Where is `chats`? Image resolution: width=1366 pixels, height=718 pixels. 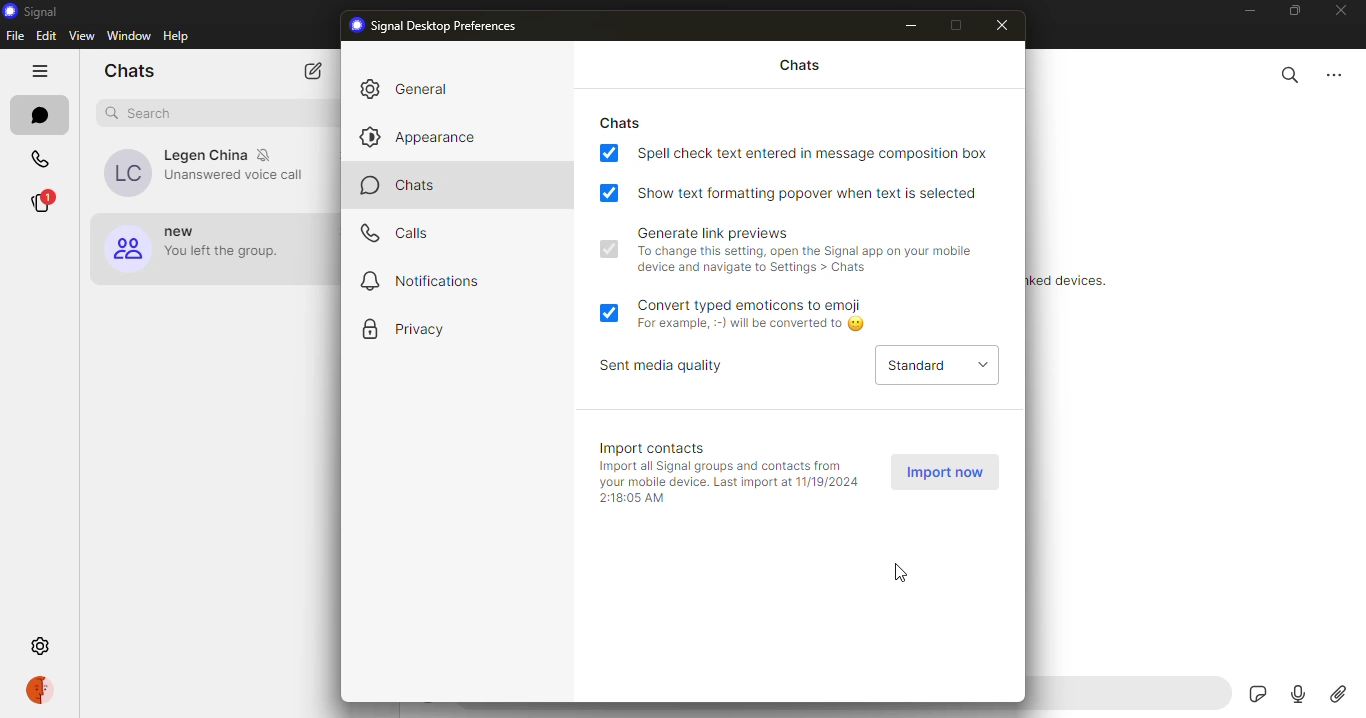
chats is located at coordinates (627, 122).